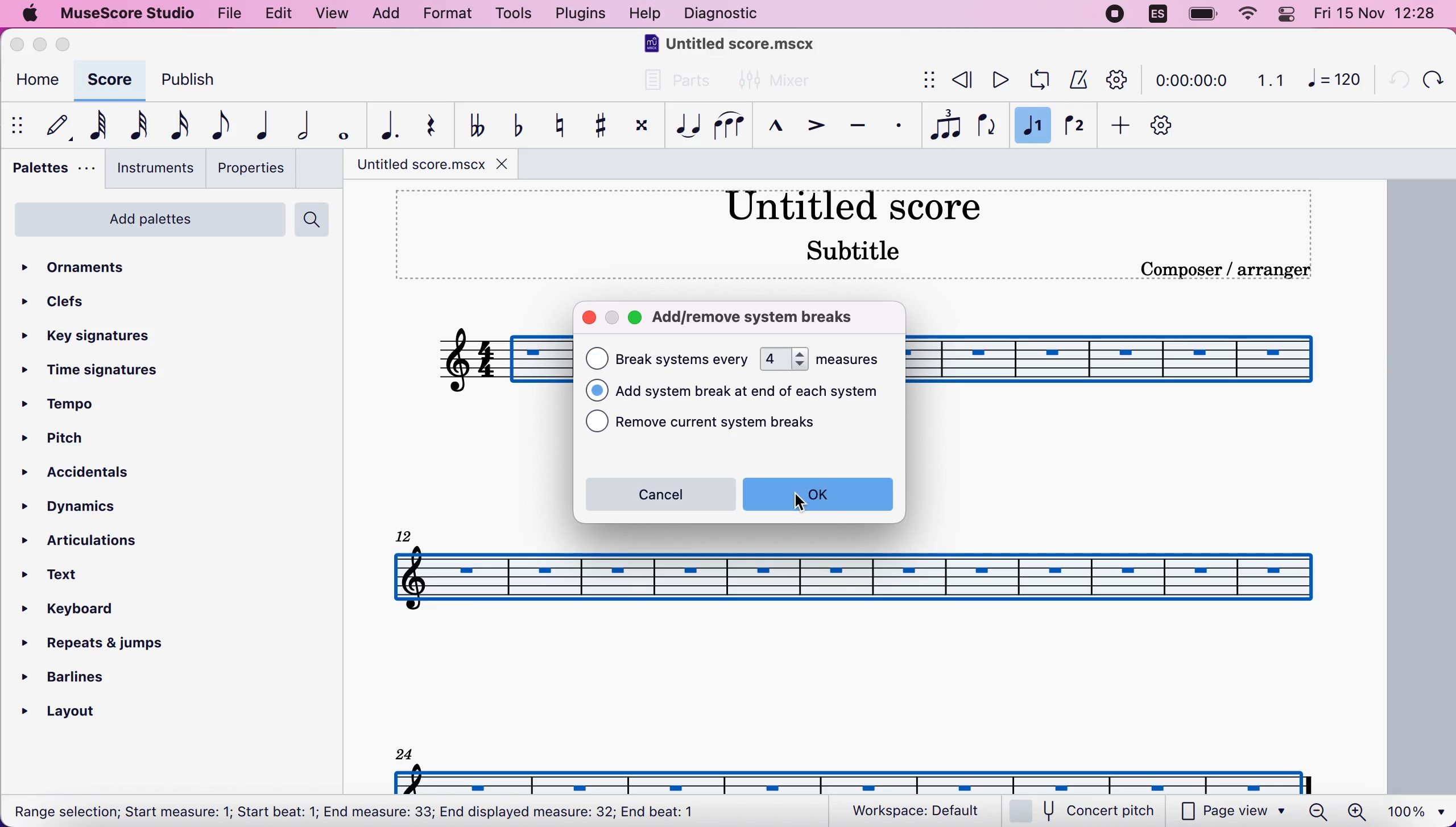 The width and height of the screenshot is (1456, 827). Describe the element at coordinates (340, 126) in the screenshot. I see `whole note` at that location.